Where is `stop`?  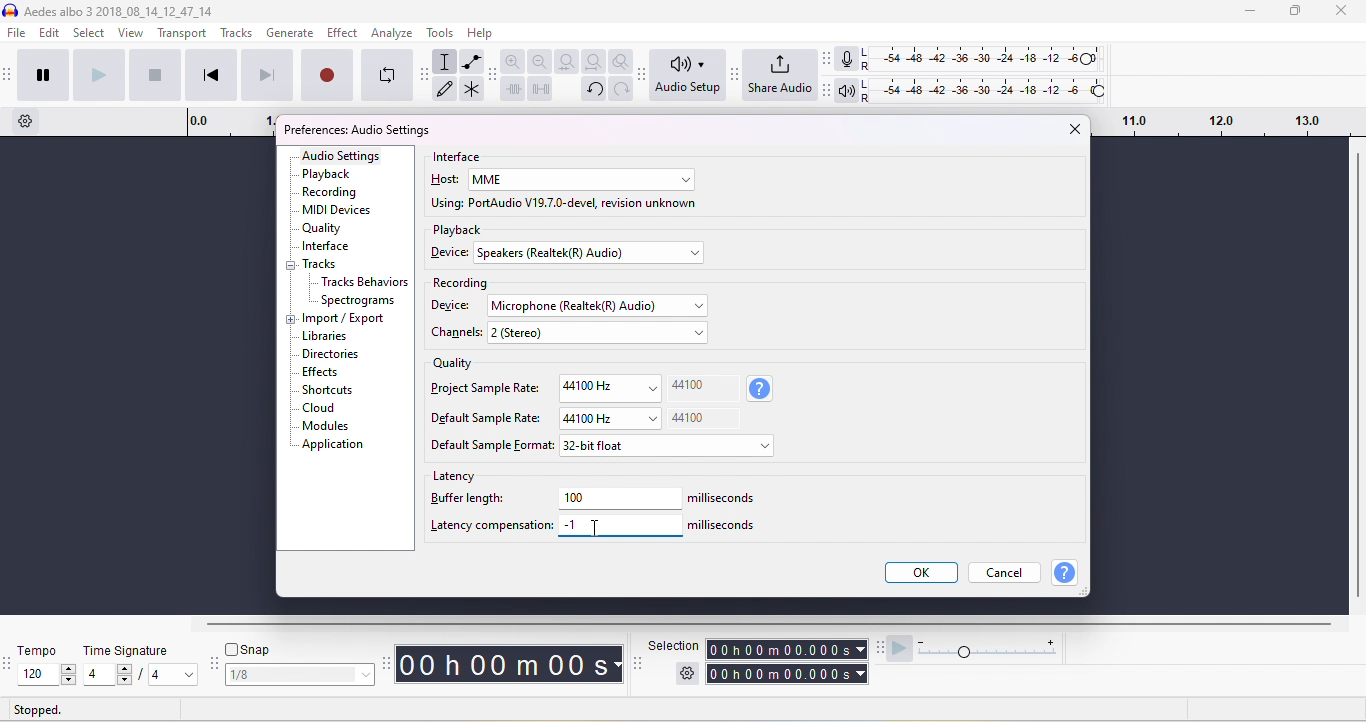
stop is located at coordinates (154, 74).